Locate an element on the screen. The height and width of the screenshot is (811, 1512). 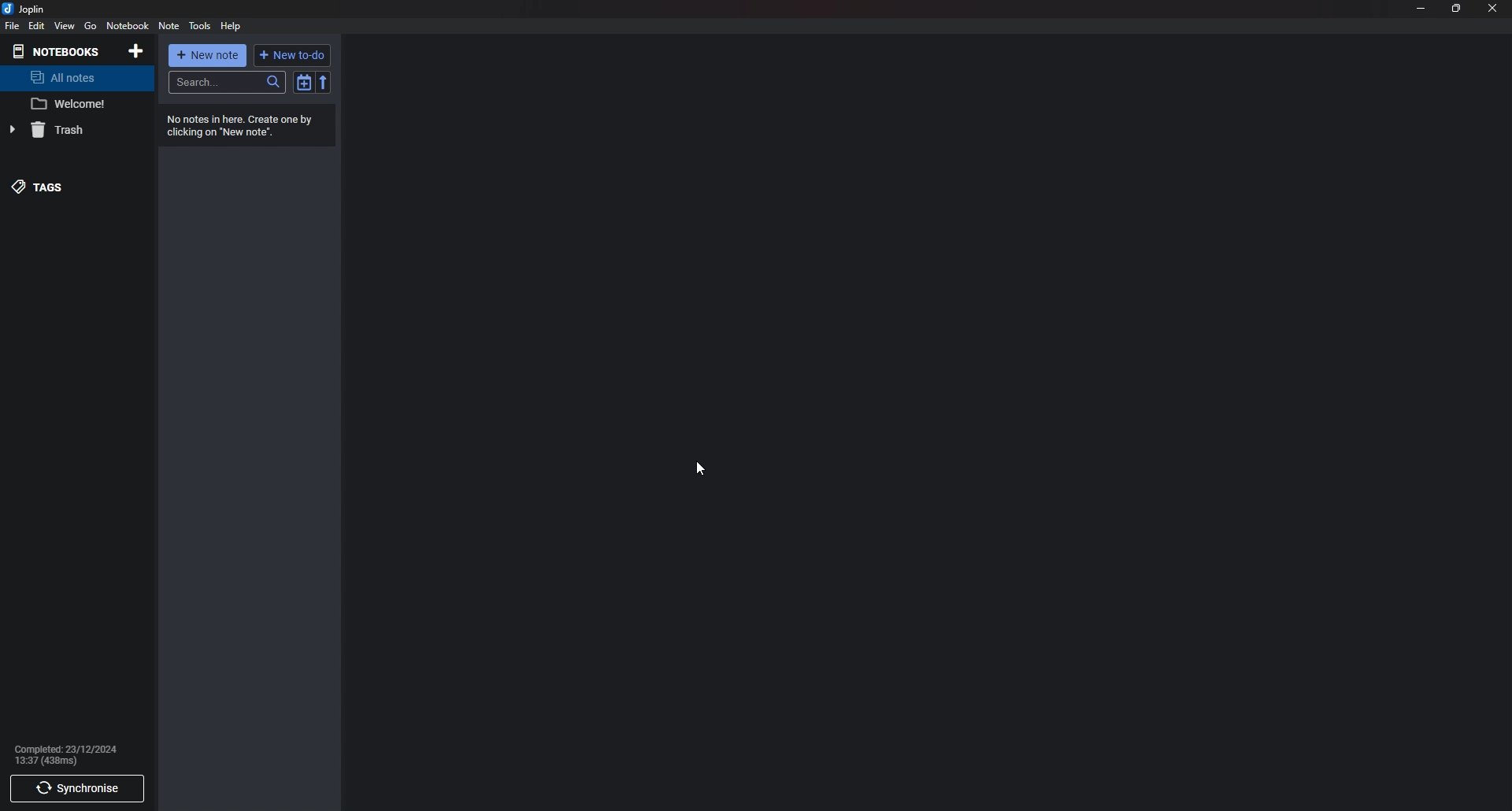
Go is located at coordinates (90, 26).